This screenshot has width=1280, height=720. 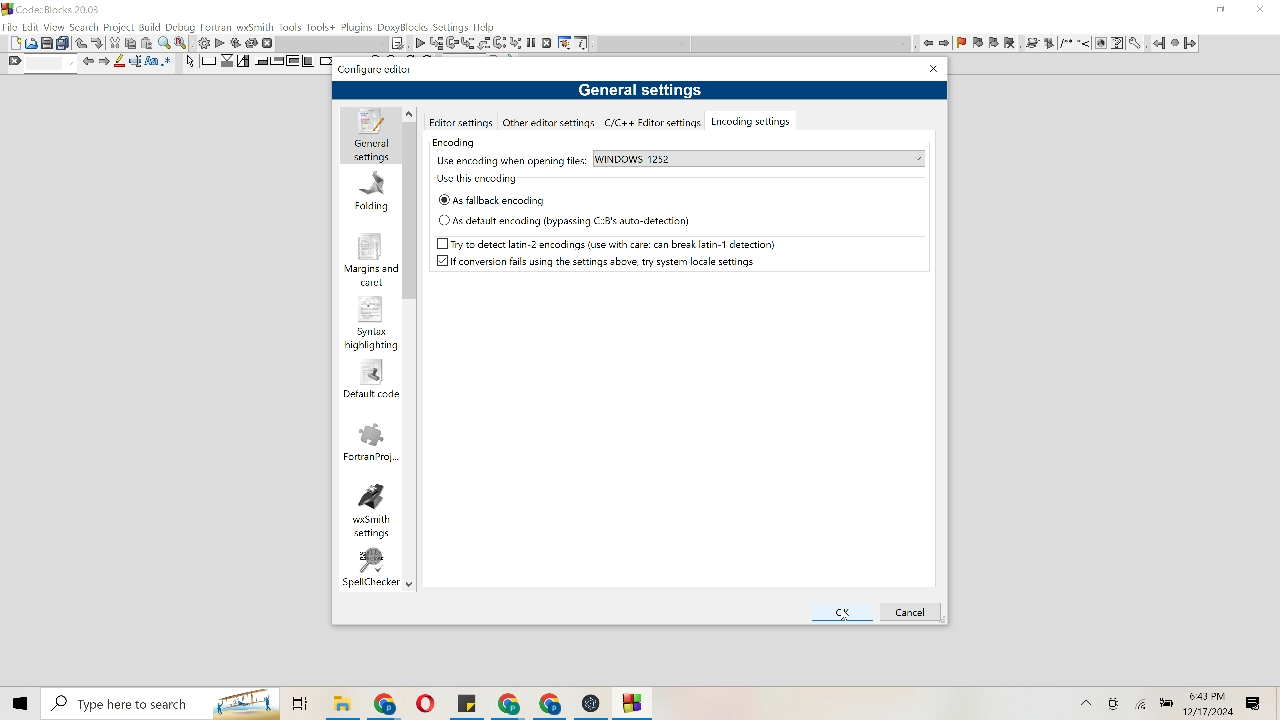 I want to click on spell checker, so click(x=371, y=567).